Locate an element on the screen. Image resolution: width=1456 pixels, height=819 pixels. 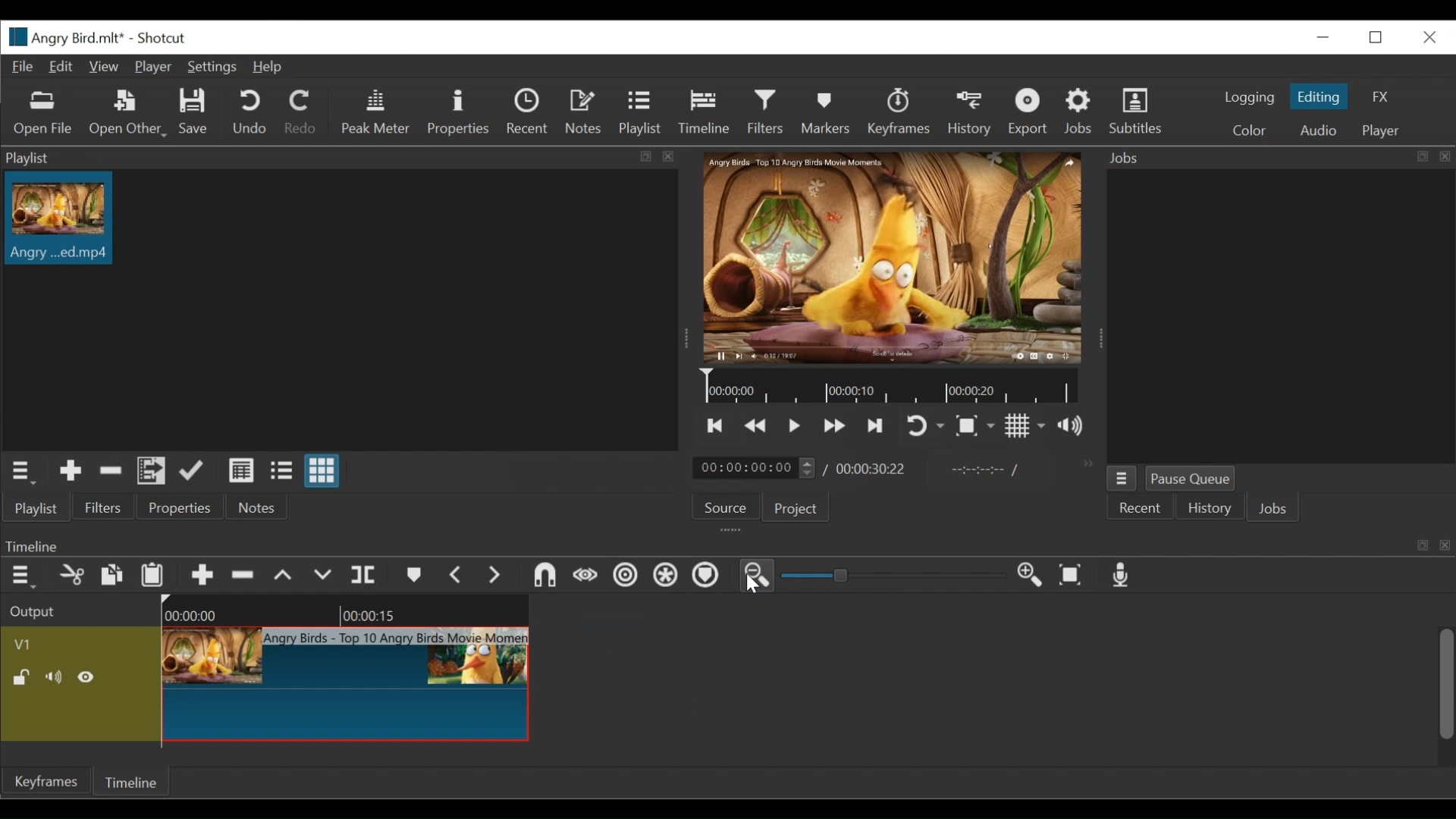
Playlist is located at coordinates (639, 111).